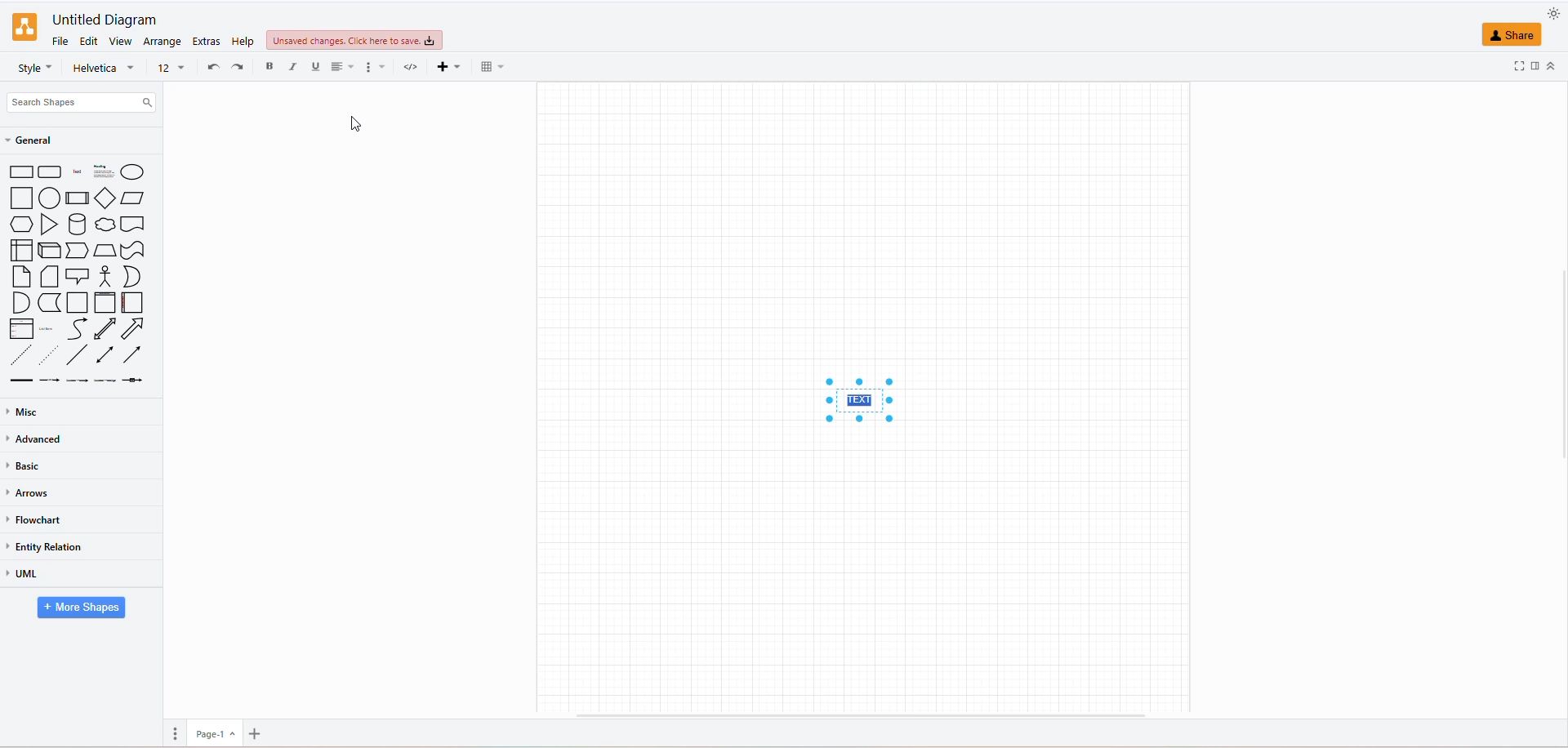  What do you see at coordinates (244, 40) in the screenshot?
I see `help` at bounding box center [244, 40].